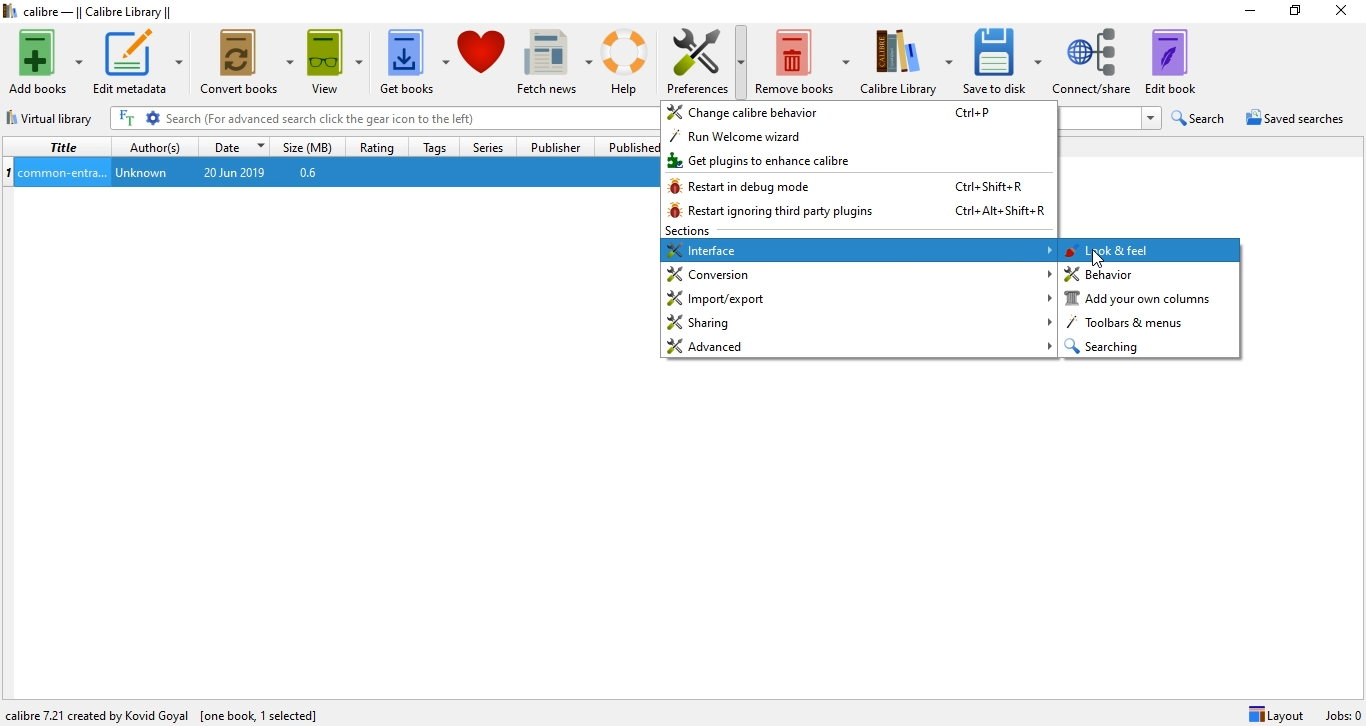  What do you see at coordinates (1245, 12) in the screenshot?
I see `Minimise` at bounding box center [1245, 12].